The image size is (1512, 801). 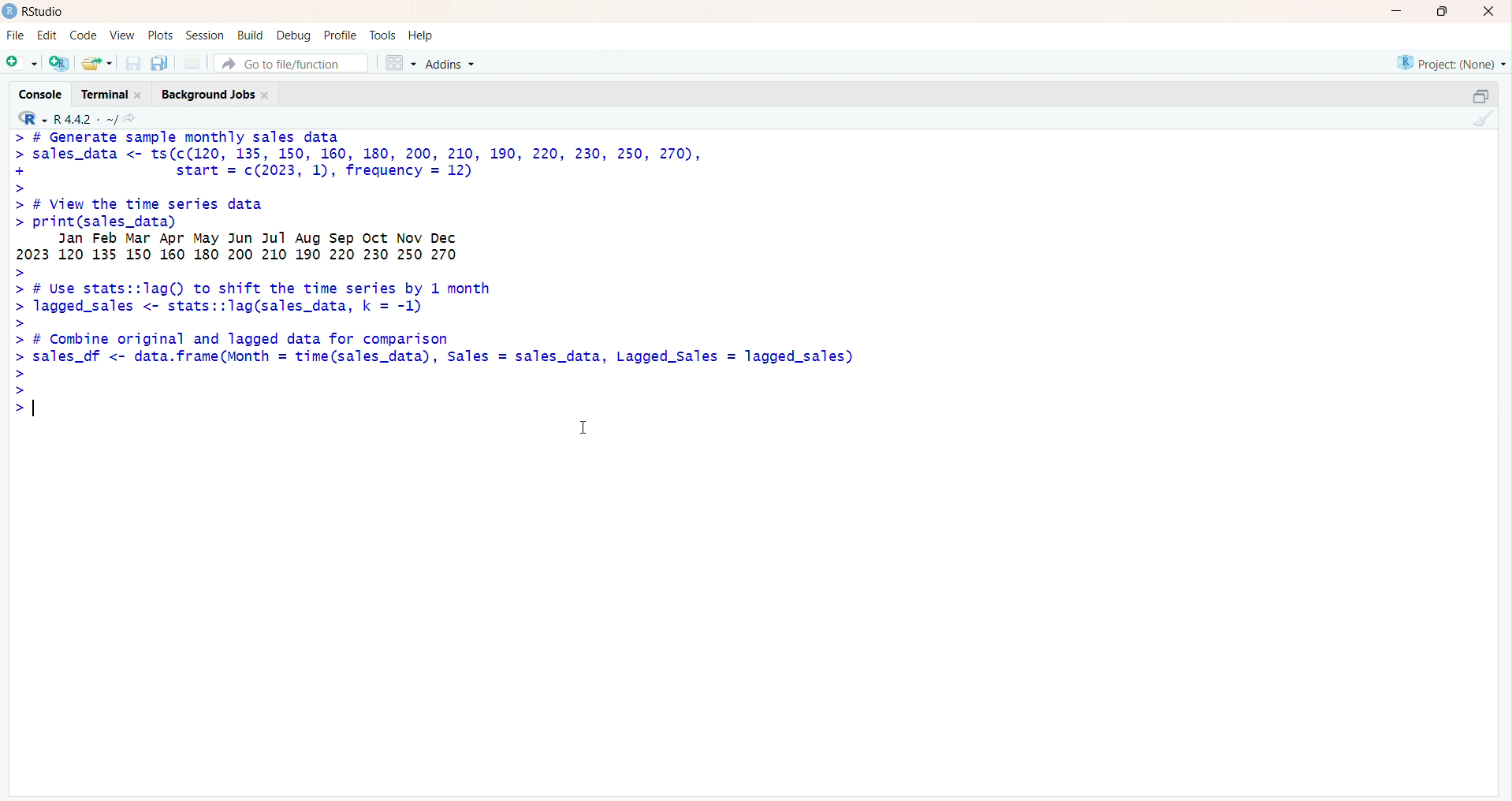 What do you see at coordinates (192, 63) in the screenshot?
I see `print the current file` at bounding box center [192, 63].